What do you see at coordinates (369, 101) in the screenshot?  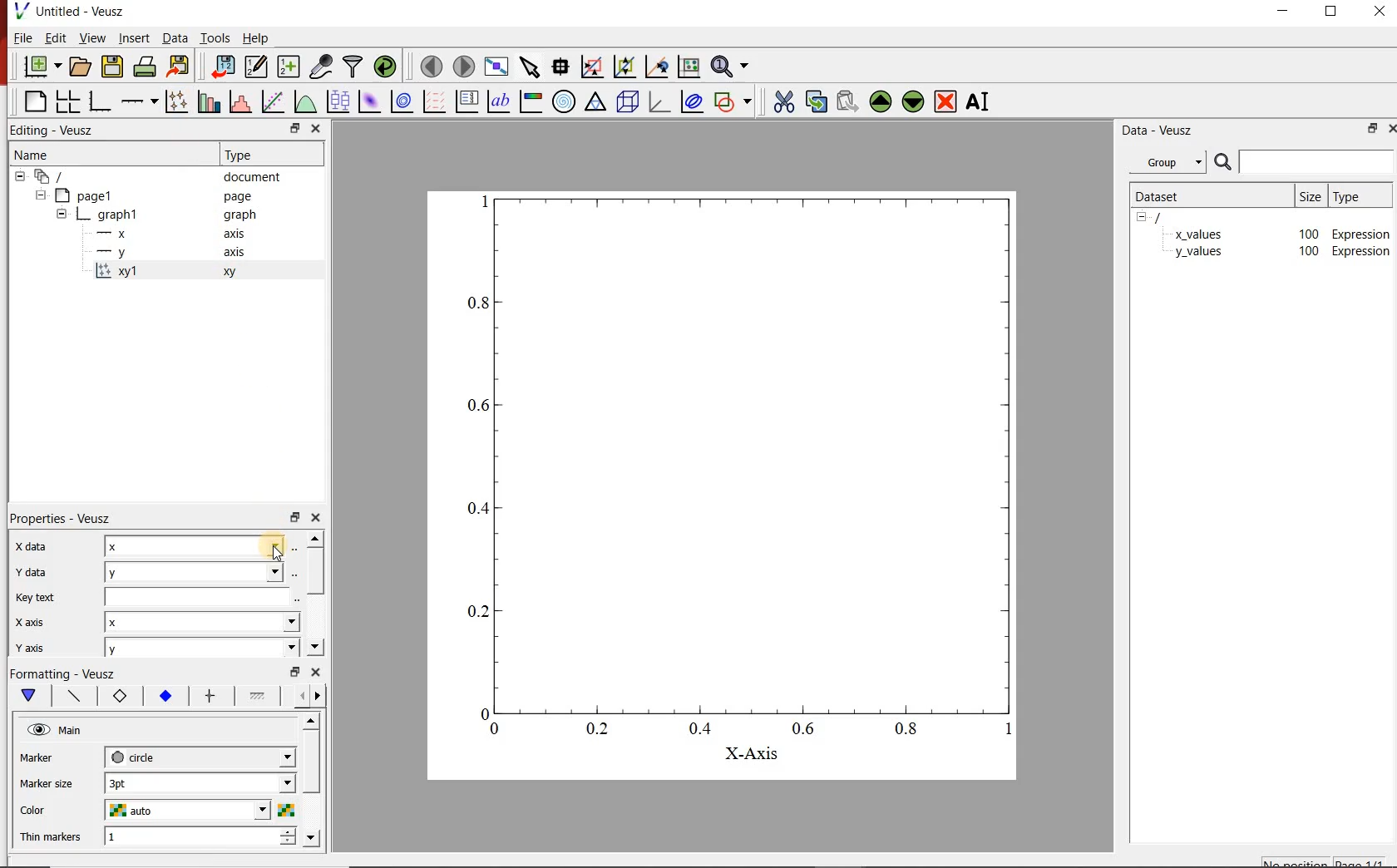 I see `plot 2d dataset as an image` at bounding box center [369, 101].